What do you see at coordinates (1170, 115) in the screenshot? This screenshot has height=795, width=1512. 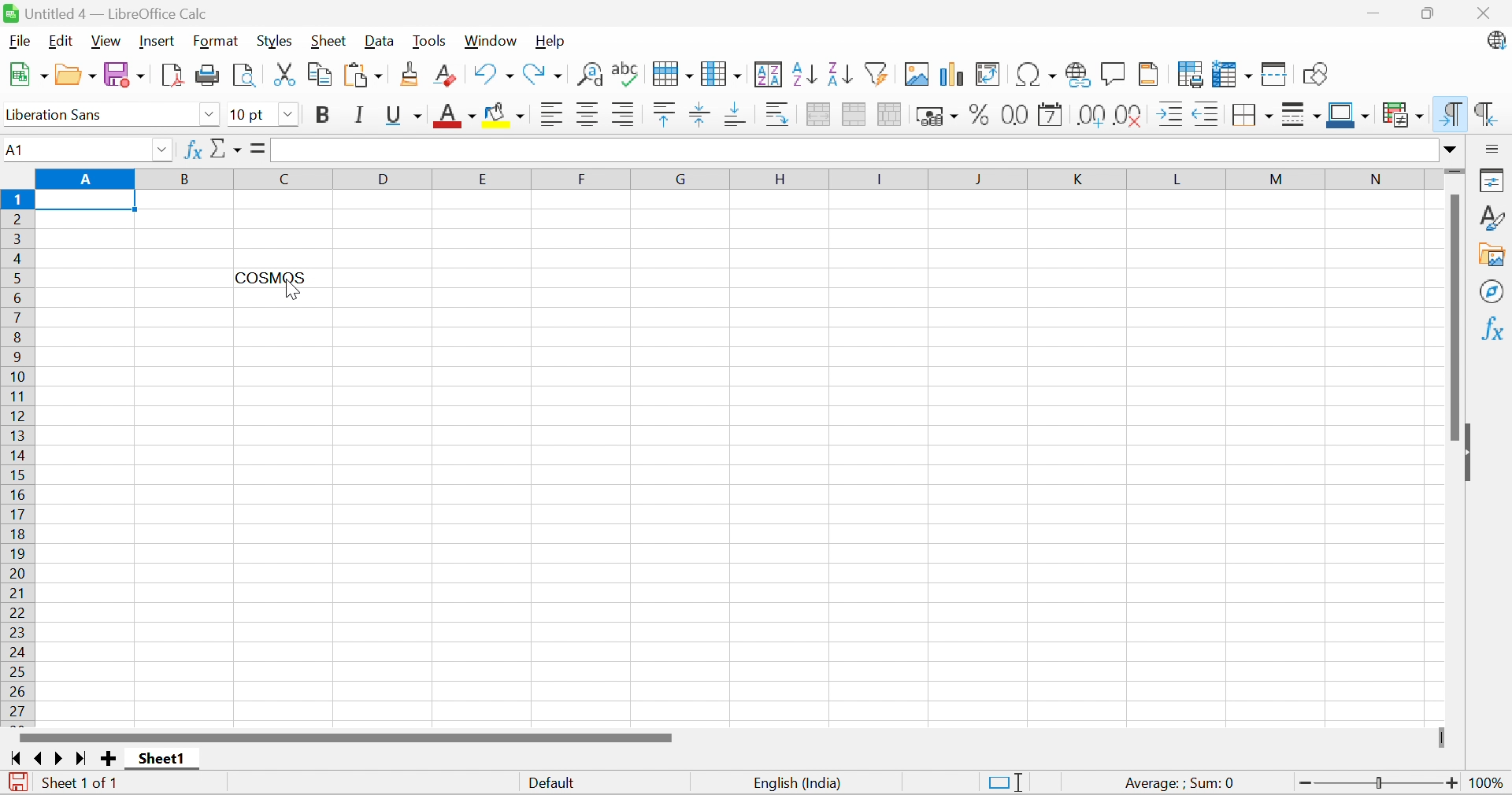 I see `Increase Indent` at bounding box center [1170, 115].